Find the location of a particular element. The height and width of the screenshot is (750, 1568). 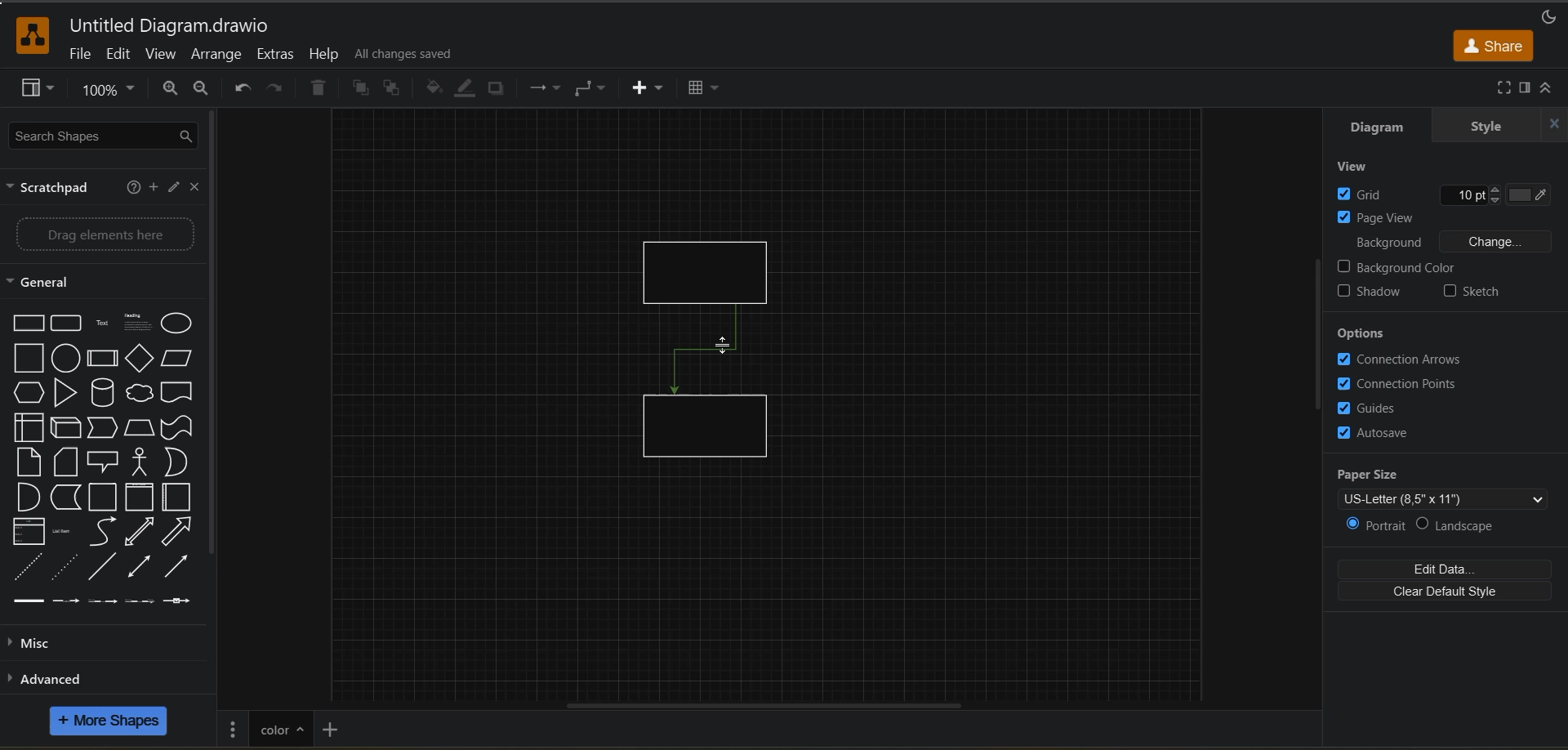

List is located at coordinates (28, 532).